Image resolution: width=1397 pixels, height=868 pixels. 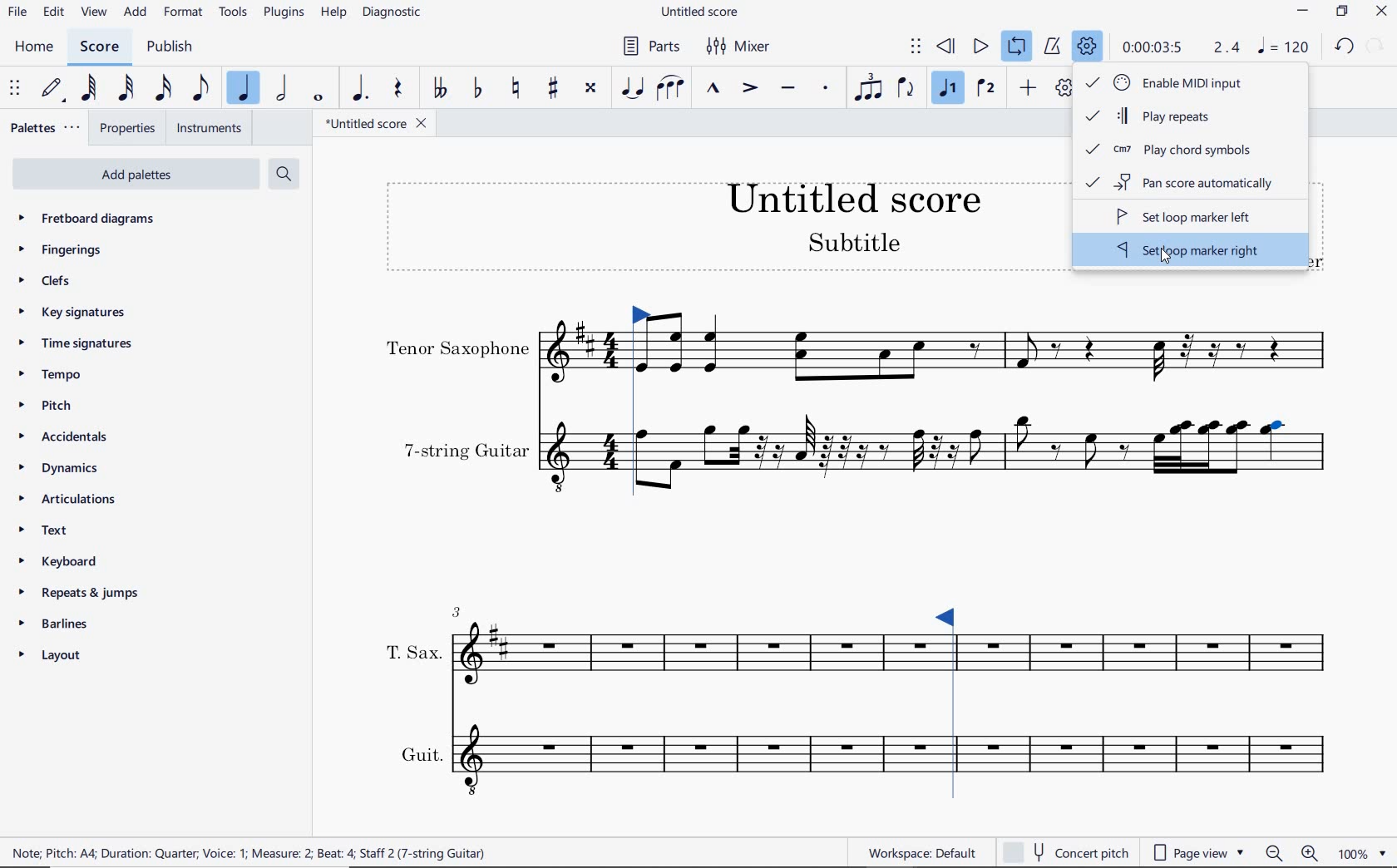 What do you see at coordinates (1028, 90) in the screenshot?
I see `ADD` at bounding box center [1028, 90].